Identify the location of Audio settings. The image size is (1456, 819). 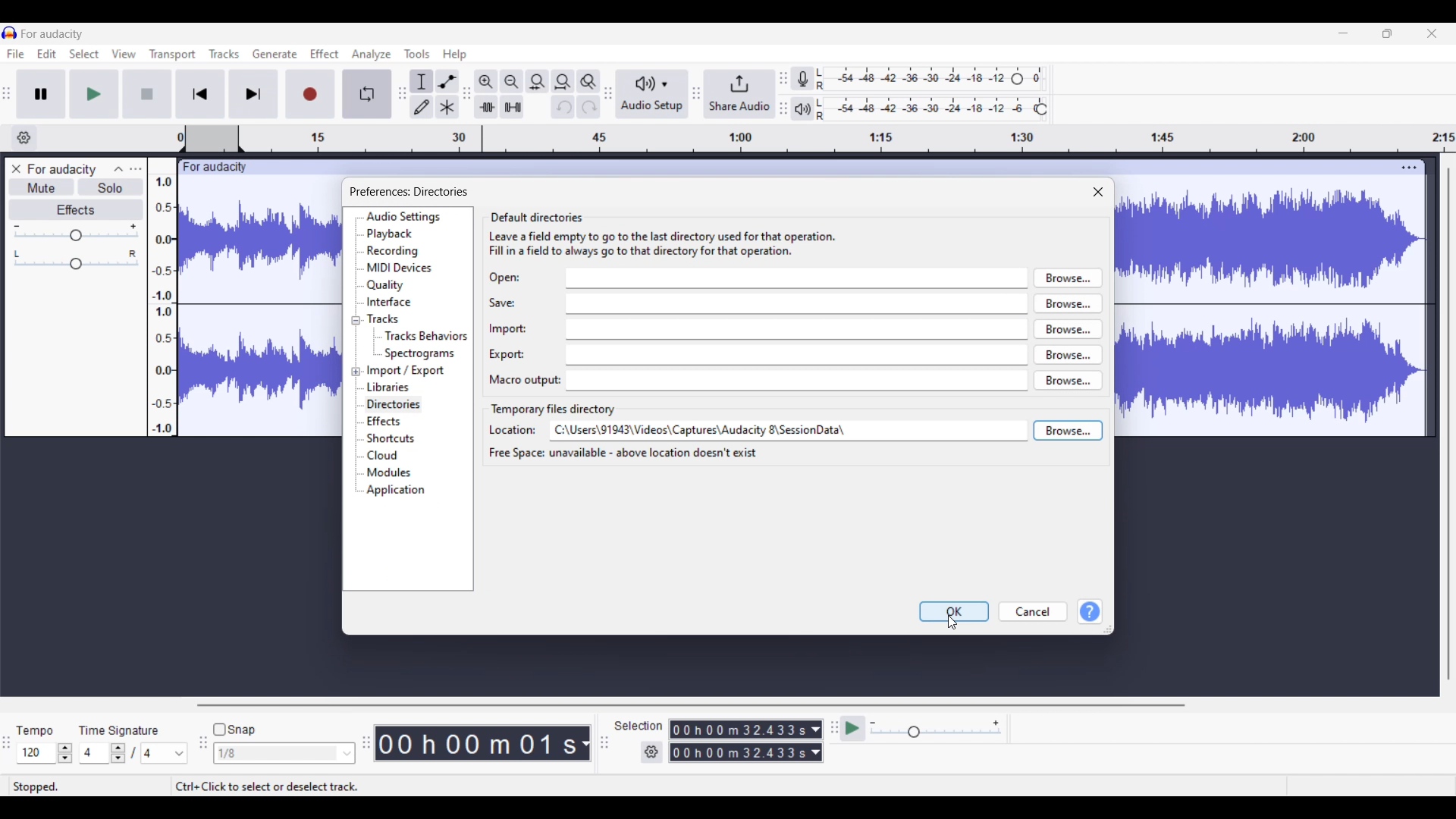
(404, 217).